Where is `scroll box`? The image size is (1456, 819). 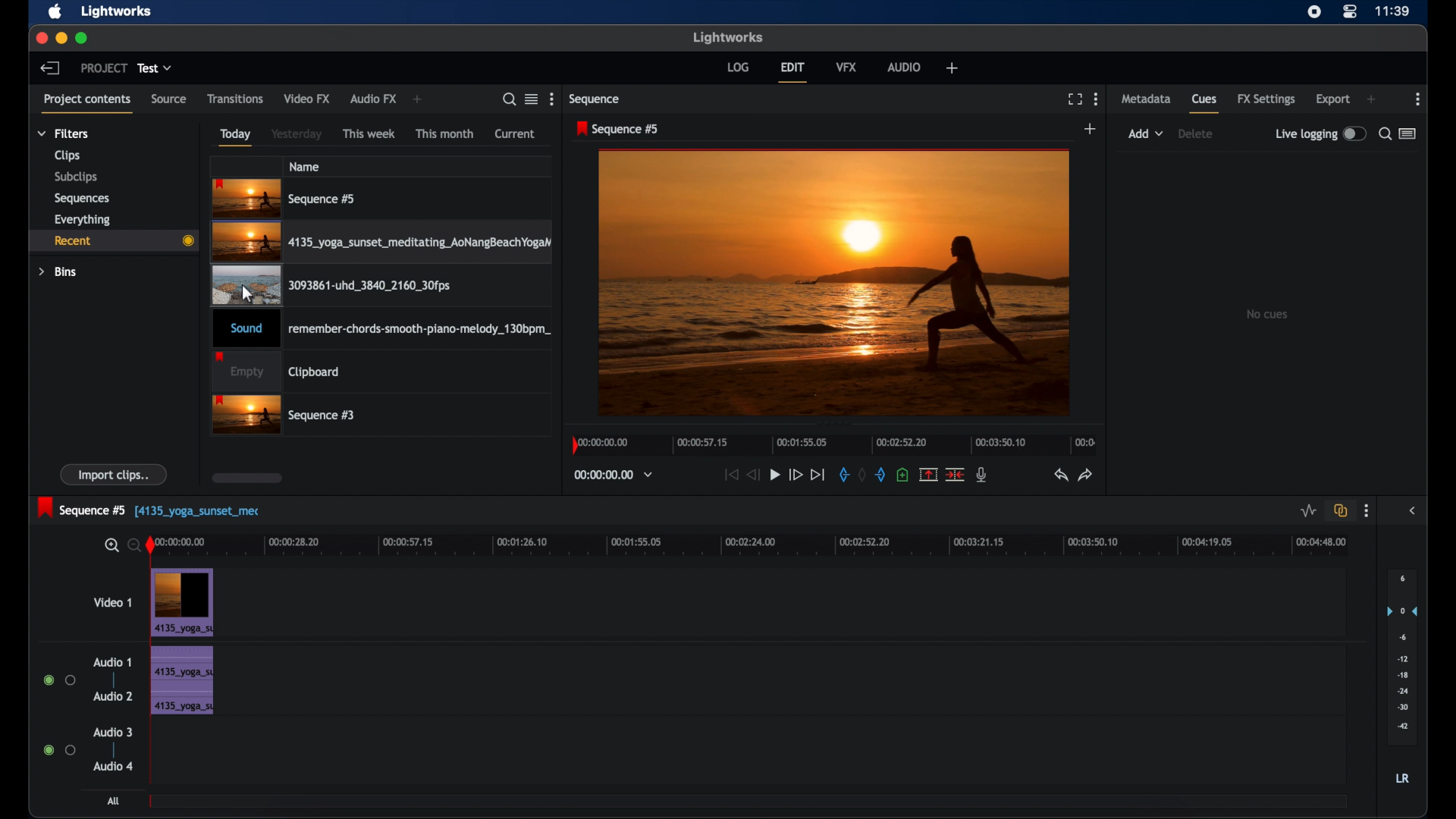
scroll box is located at coordinates (246, 478).